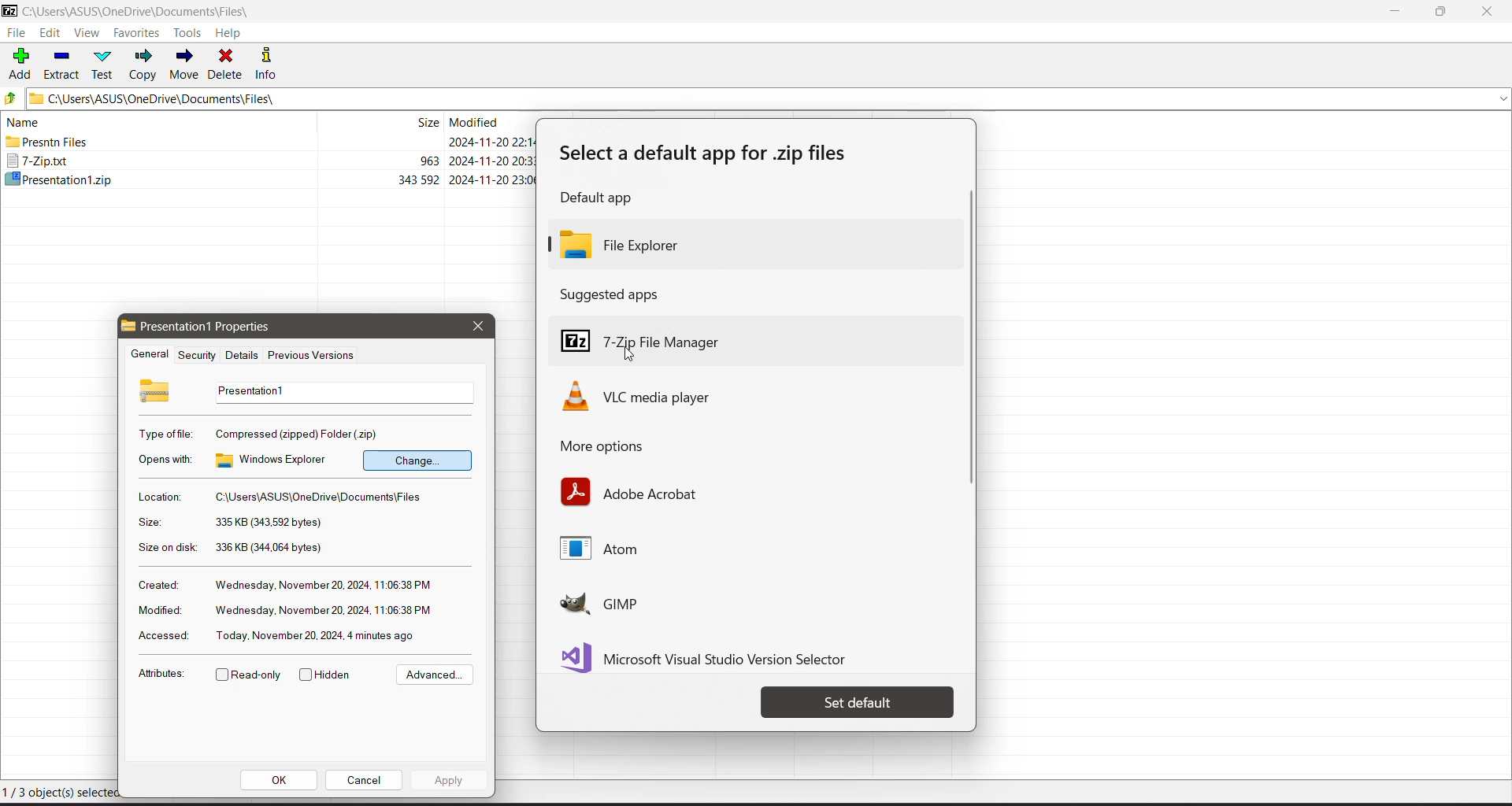 Image resolution: width=1512 pixels, height=806 pixels. I want to click on Minimize, so click(1395, 12).